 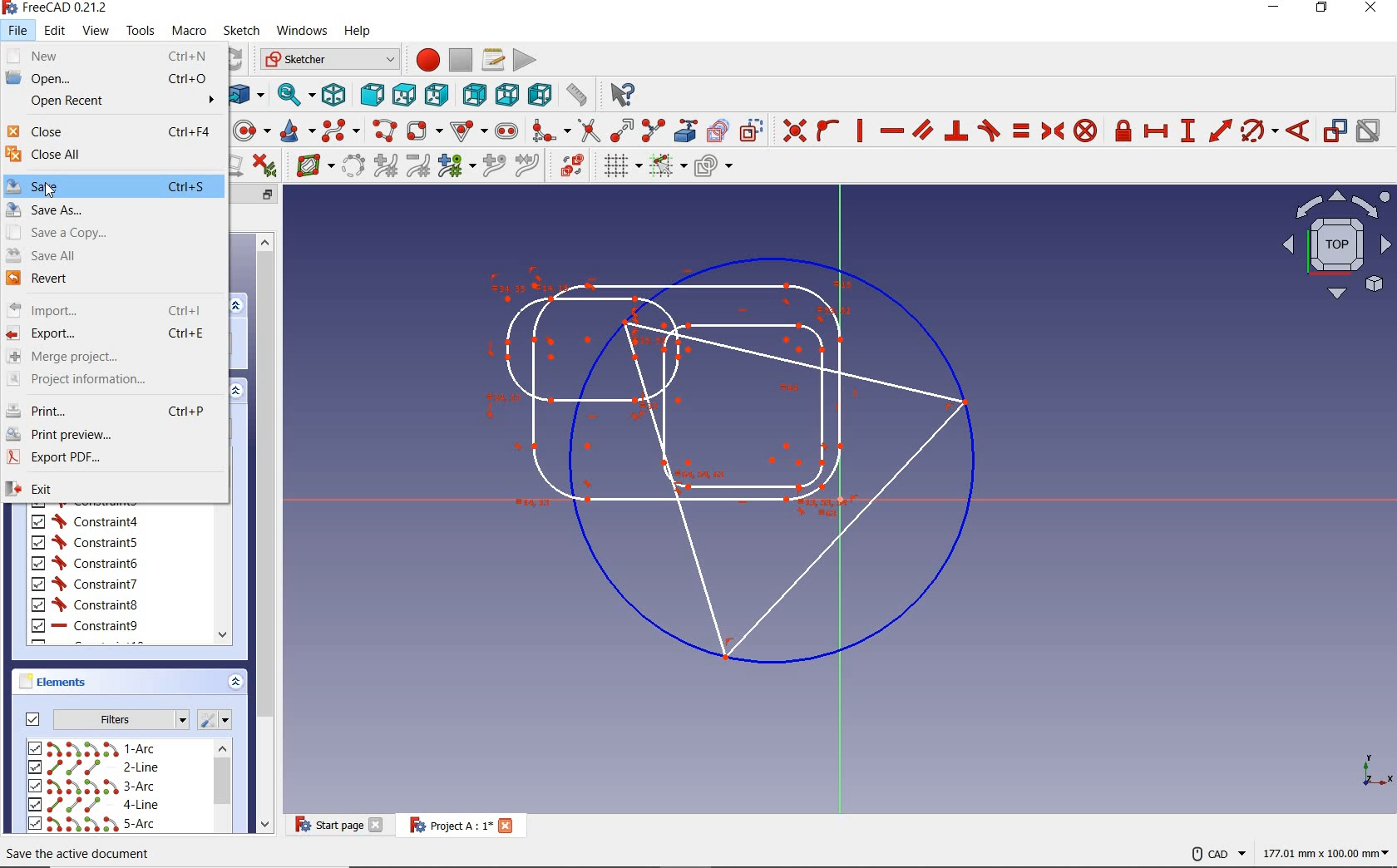 What do you see at coordinates (891, 132) in the screenshot?
I see `constraint horizontally` at bounding box center [891, 132].